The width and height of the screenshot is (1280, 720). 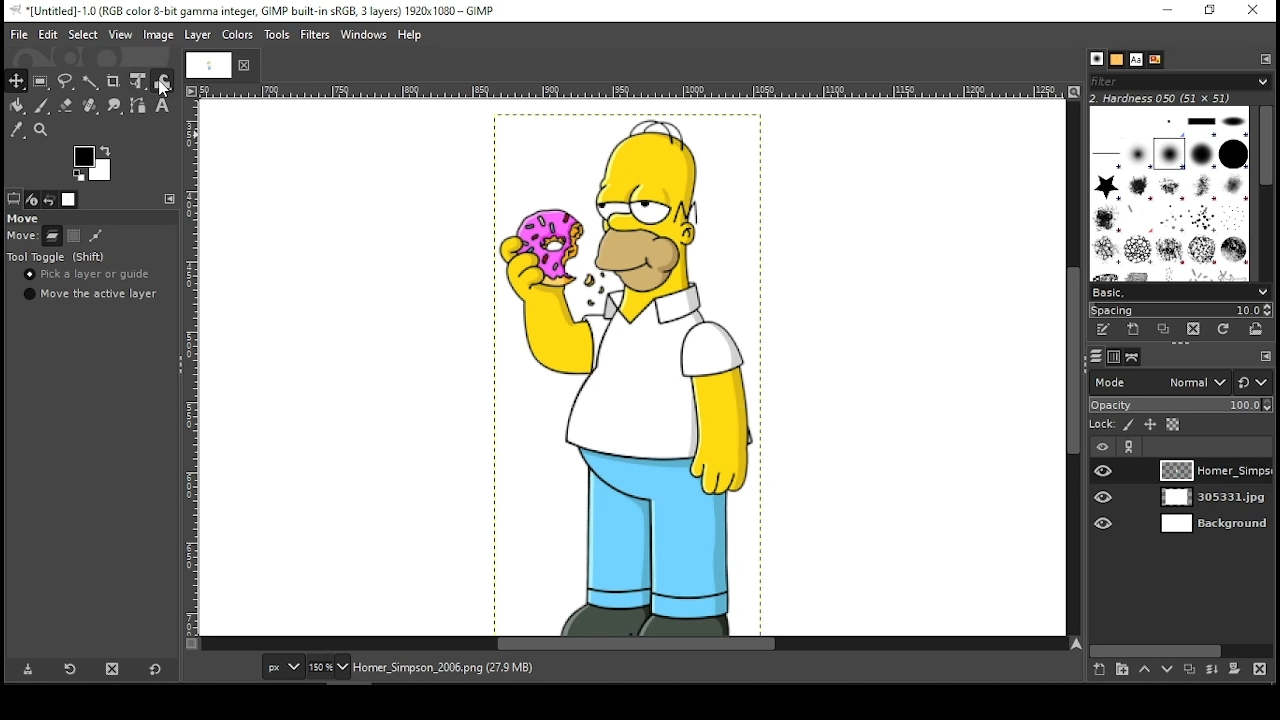 What do you see at coordinates (75, 236) in the screenshot?
I see `selection` at bounding box center [75, 236].